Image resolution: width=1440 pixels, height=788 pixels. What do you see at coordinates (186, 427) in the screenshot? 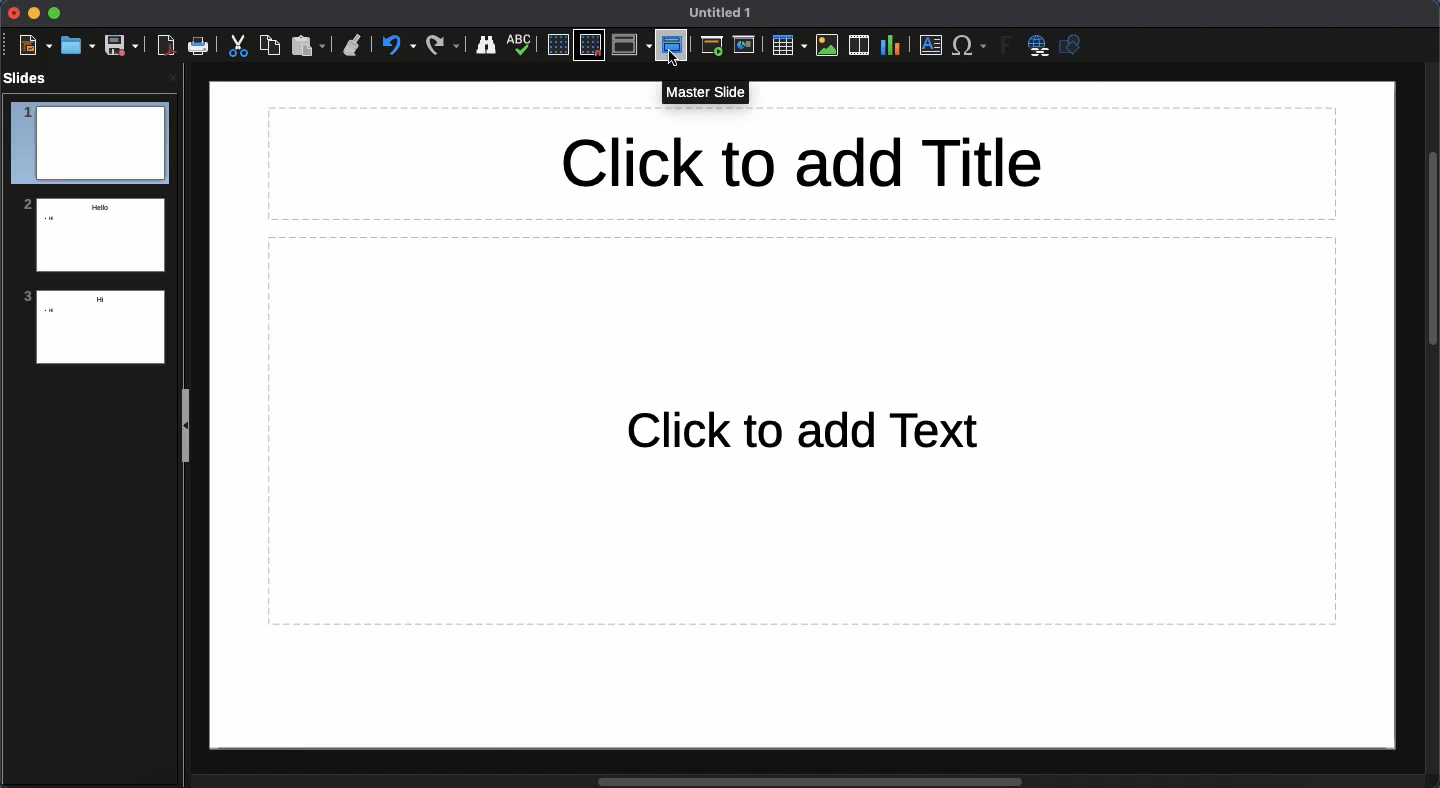
I see `Slide panel` at bounding box center [186, 427].